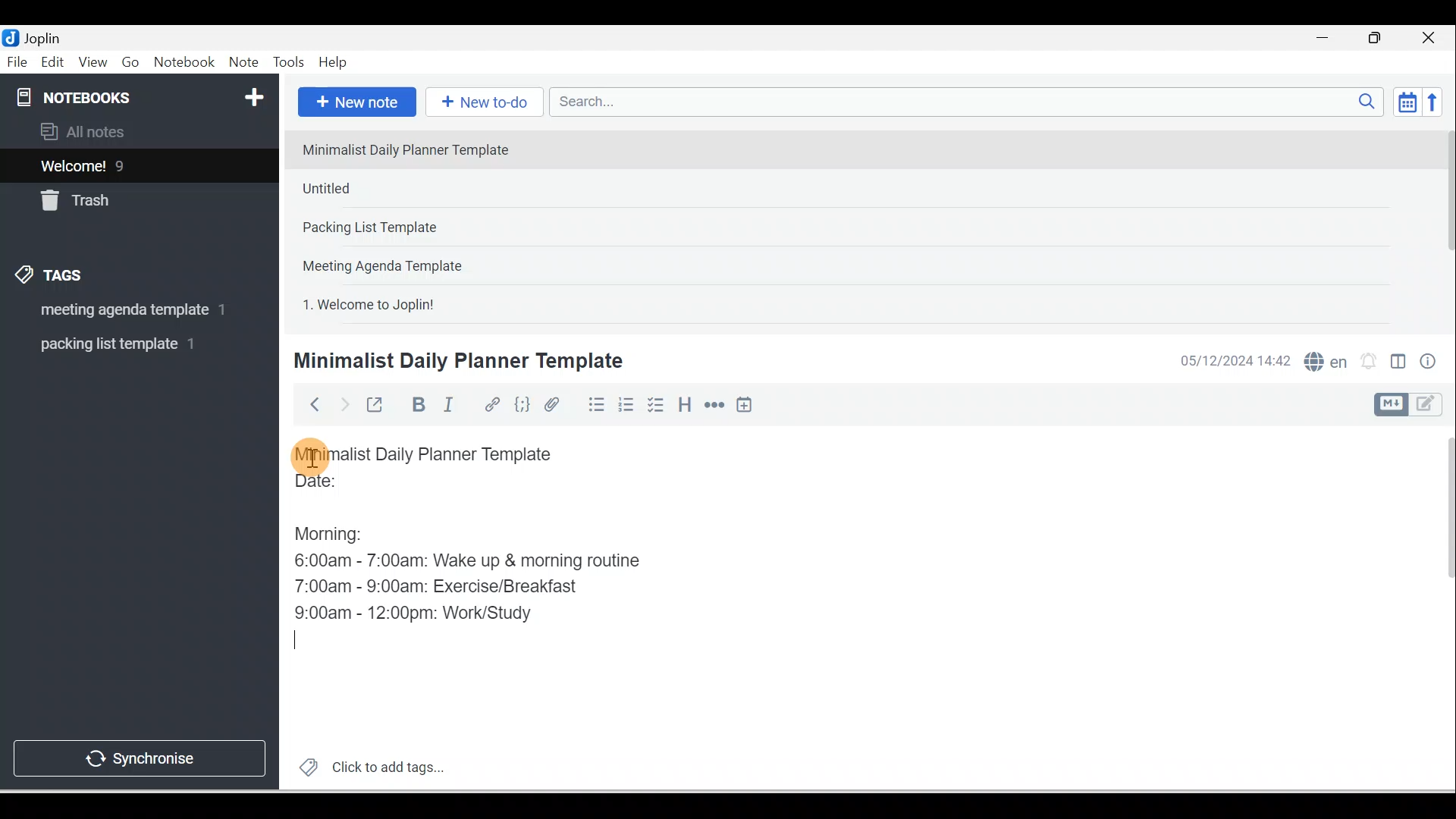  What do you see at coordinates (522, 406) in the screenshot?
I see `Code` at bounding box center [522, 406].